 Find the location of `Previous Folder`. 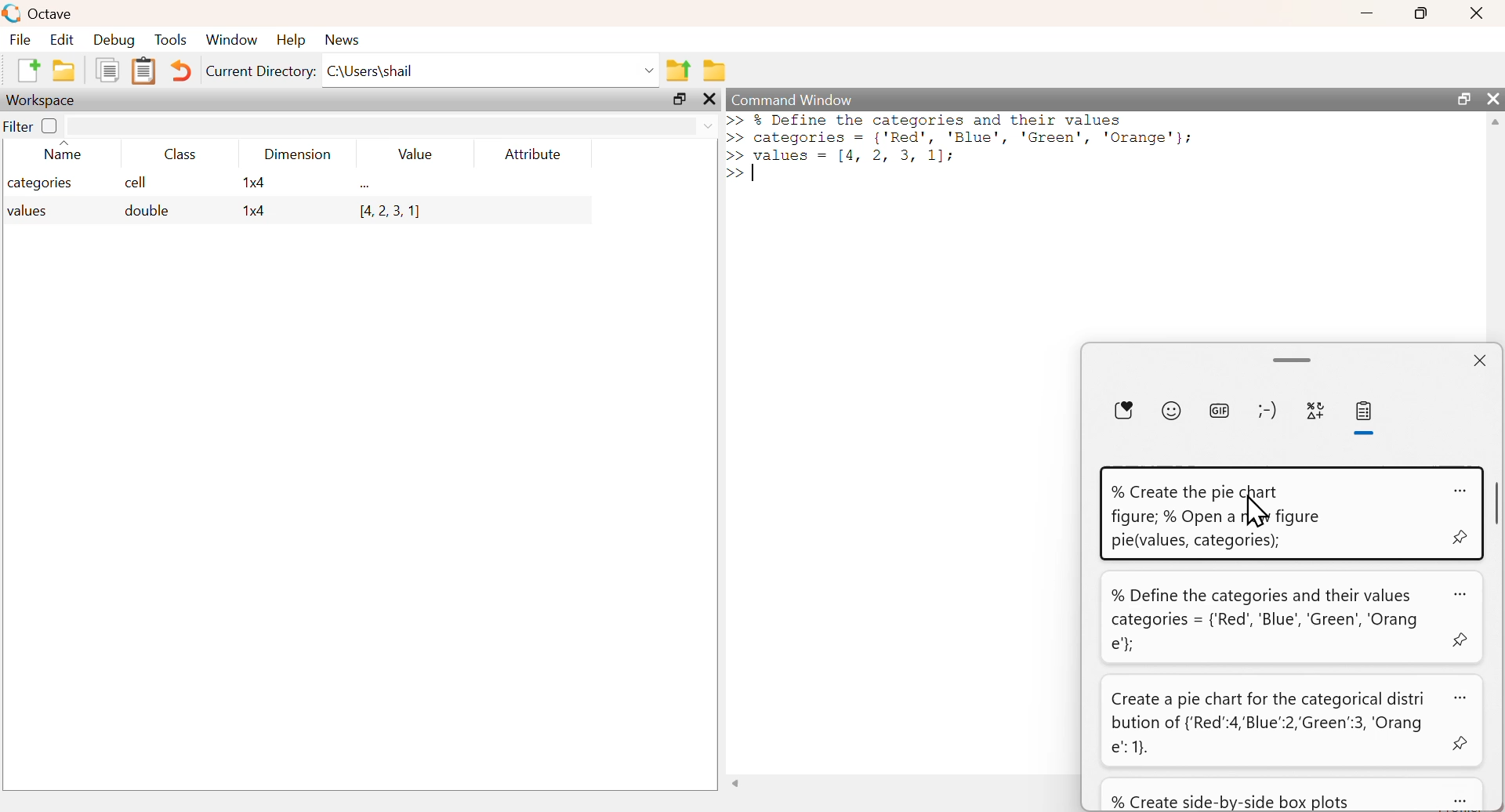

Previous Folder is located at coordinates (679, 71).